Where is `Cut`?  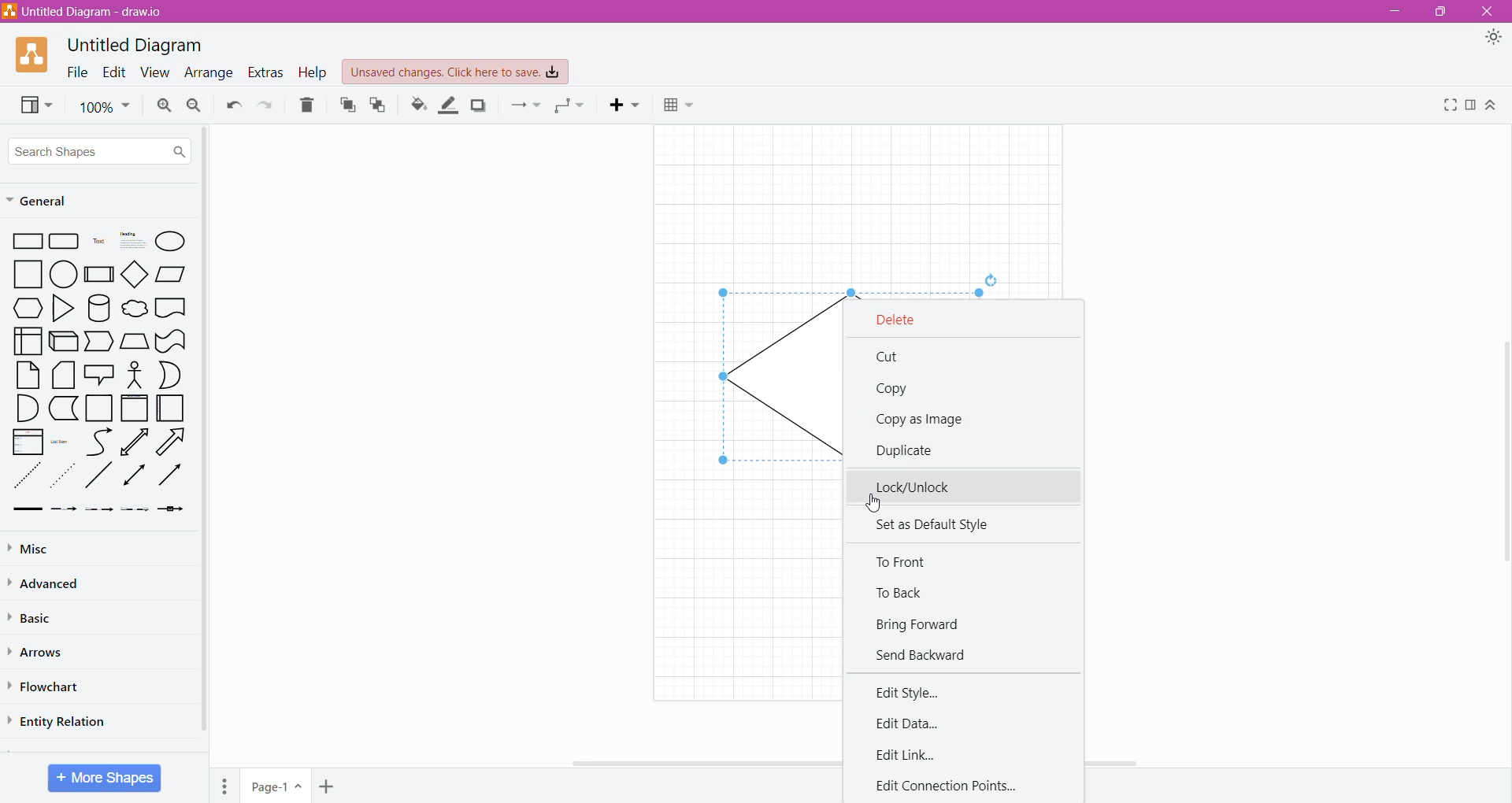
Cut is located at coordinates (889, 358).